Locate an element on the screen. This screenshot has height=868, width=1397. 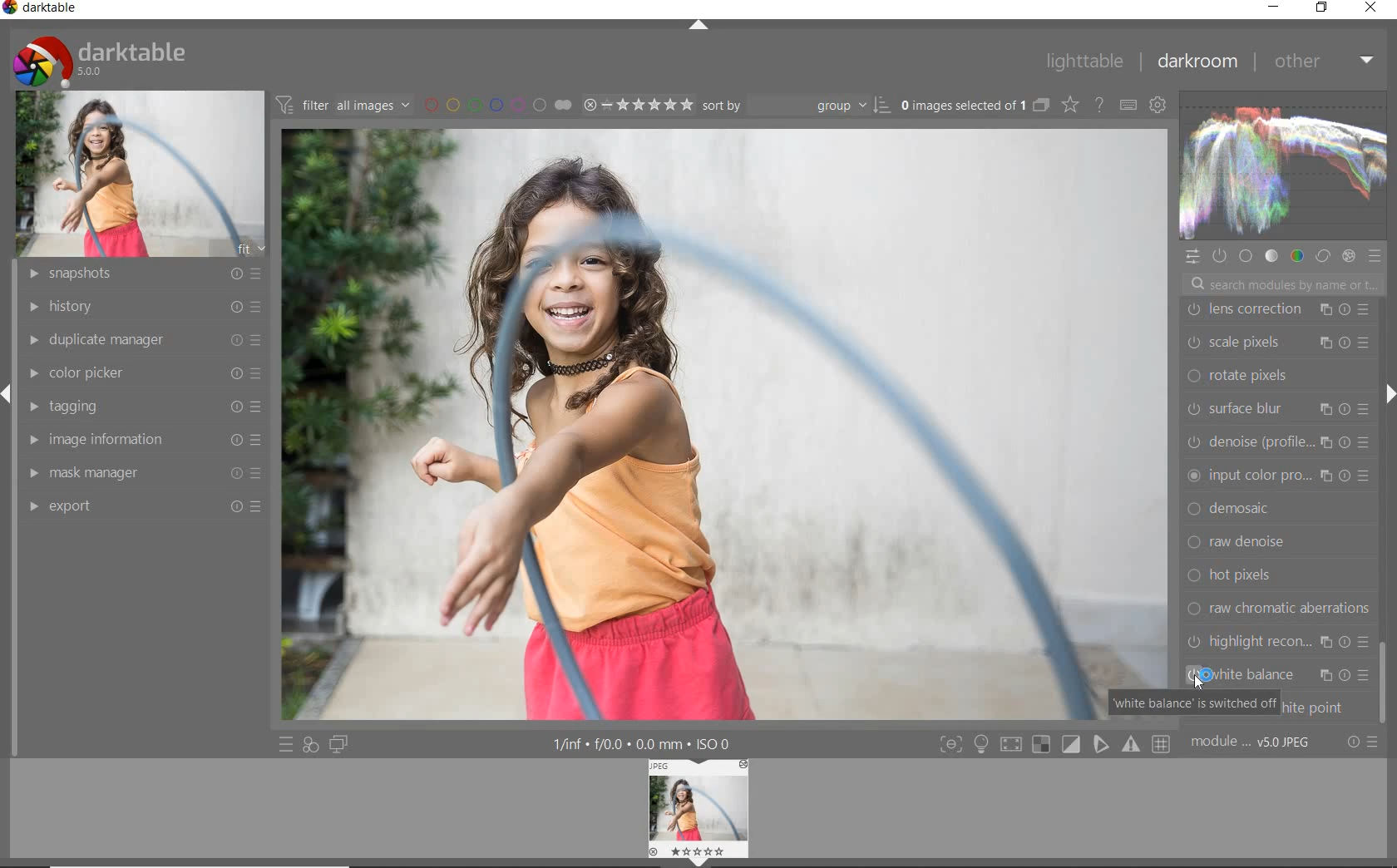
color is located at coordinates (1296, 255).